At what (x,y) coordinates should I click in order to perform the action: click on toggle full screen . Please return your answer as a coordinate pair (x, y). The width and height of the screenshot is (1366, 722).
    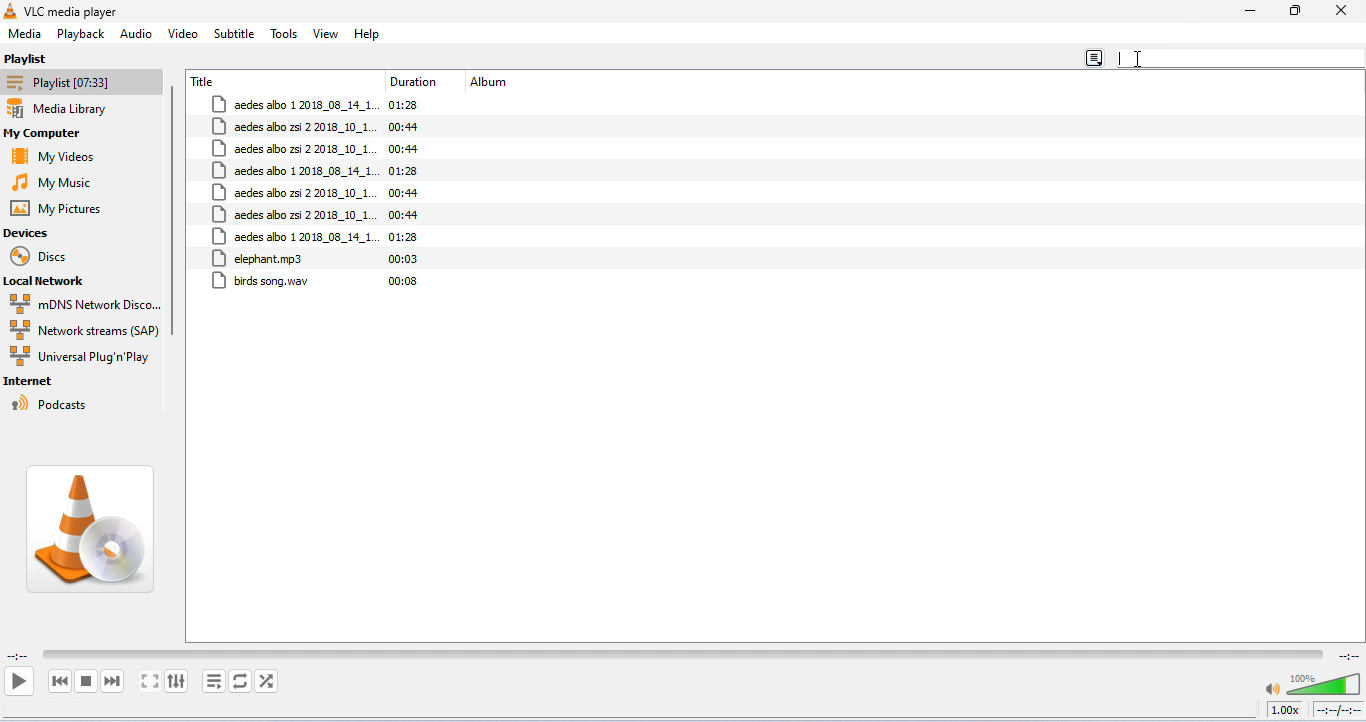
    Looking at the image, I should click on (151, 682).